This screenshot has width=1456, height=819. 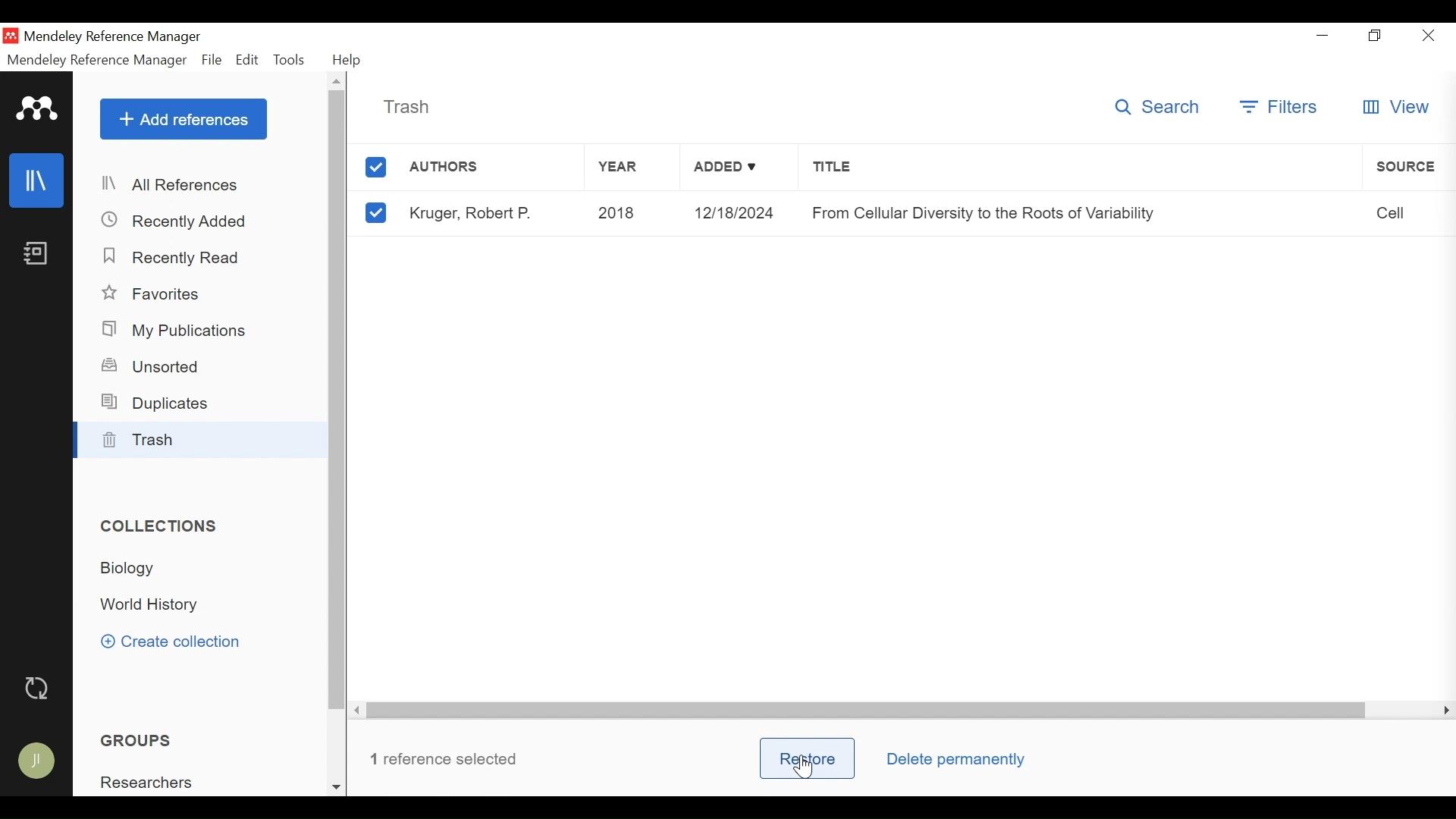 I want to click on Researchers, so click(x=154, y=783).